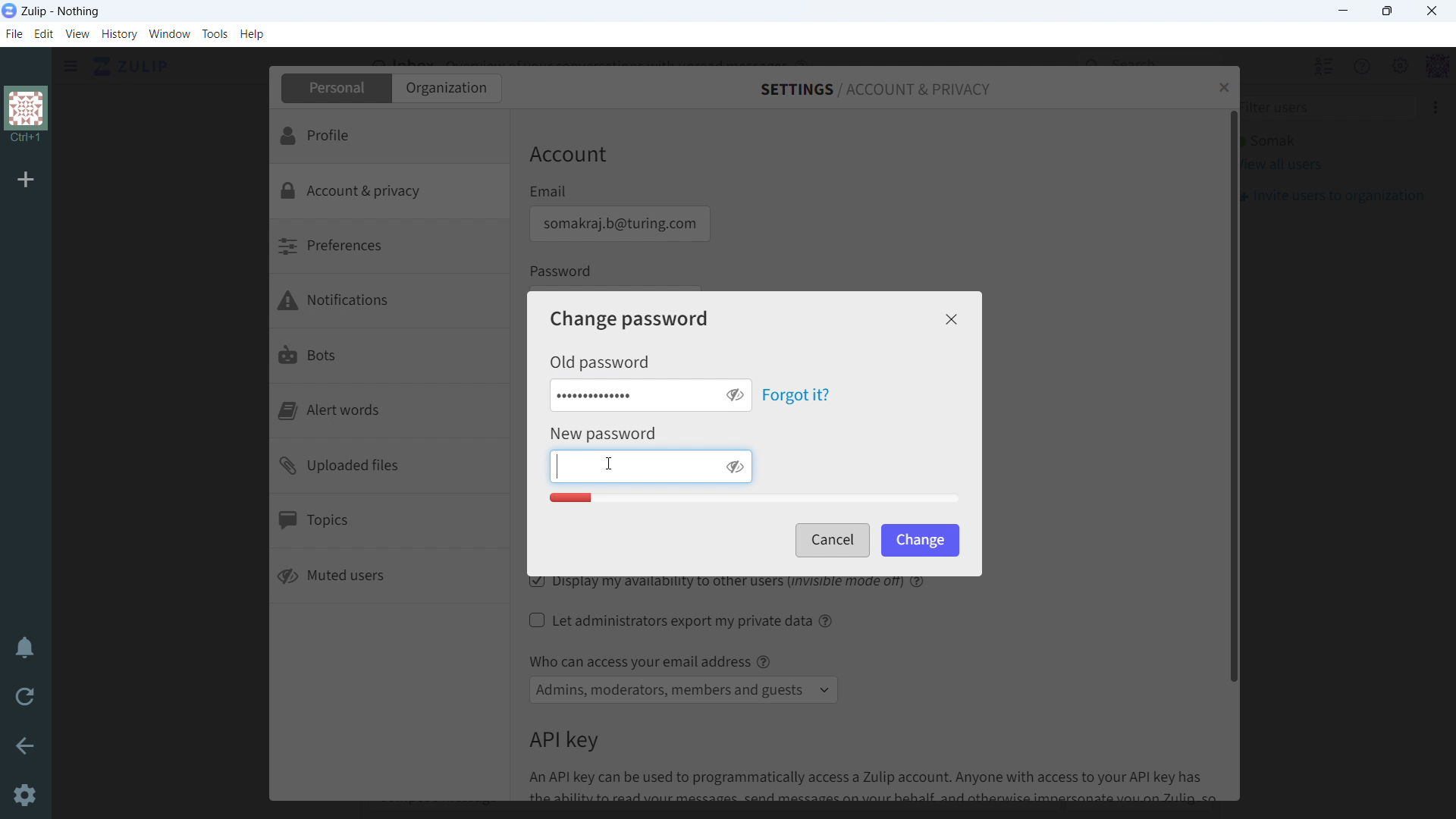  Describe the element at coordinates (132, 65) in the screenshot. I see `click to go home view (inbox)` at that location.